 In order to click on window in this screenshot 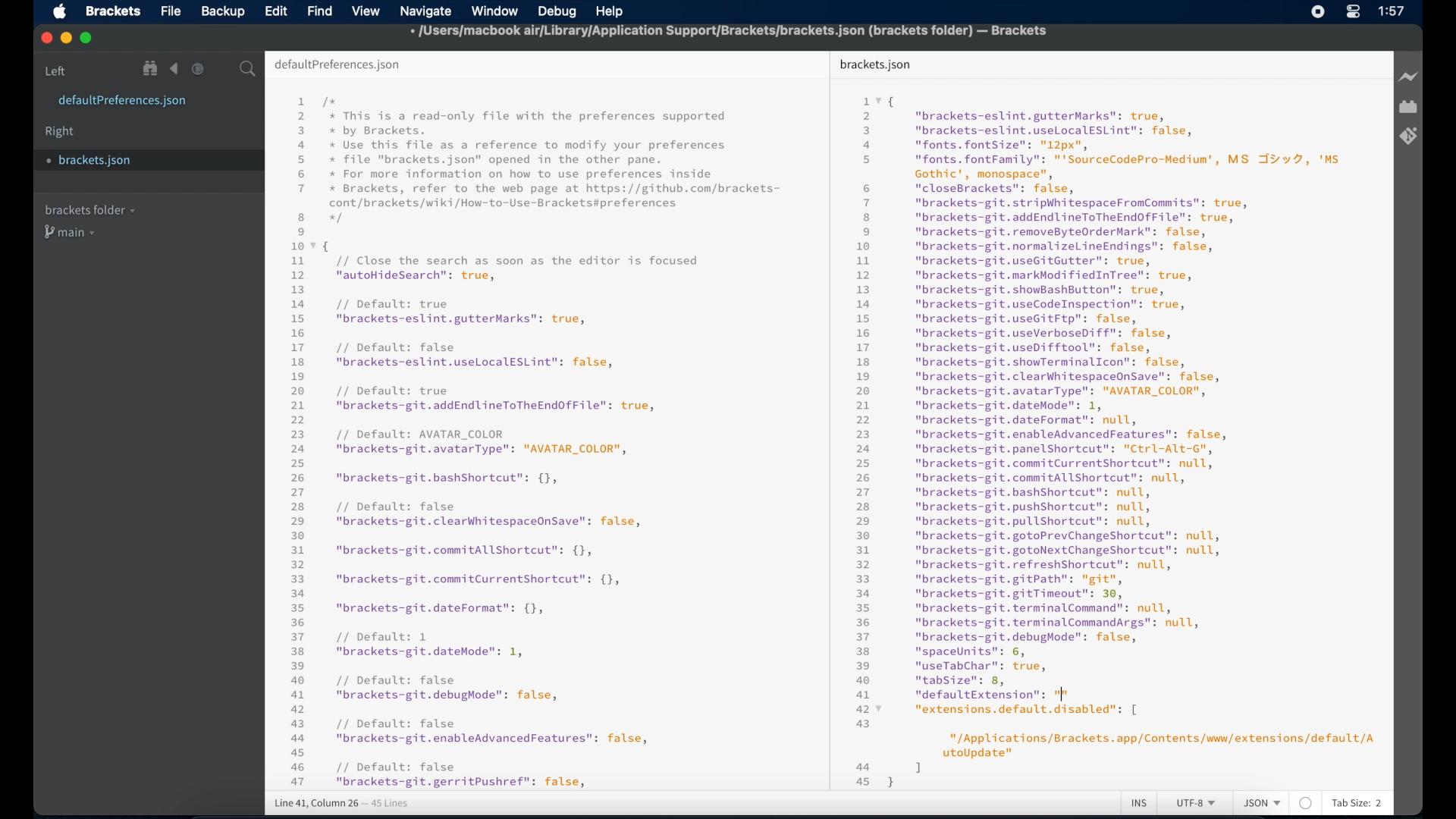, I will do `click(494, 11)`.